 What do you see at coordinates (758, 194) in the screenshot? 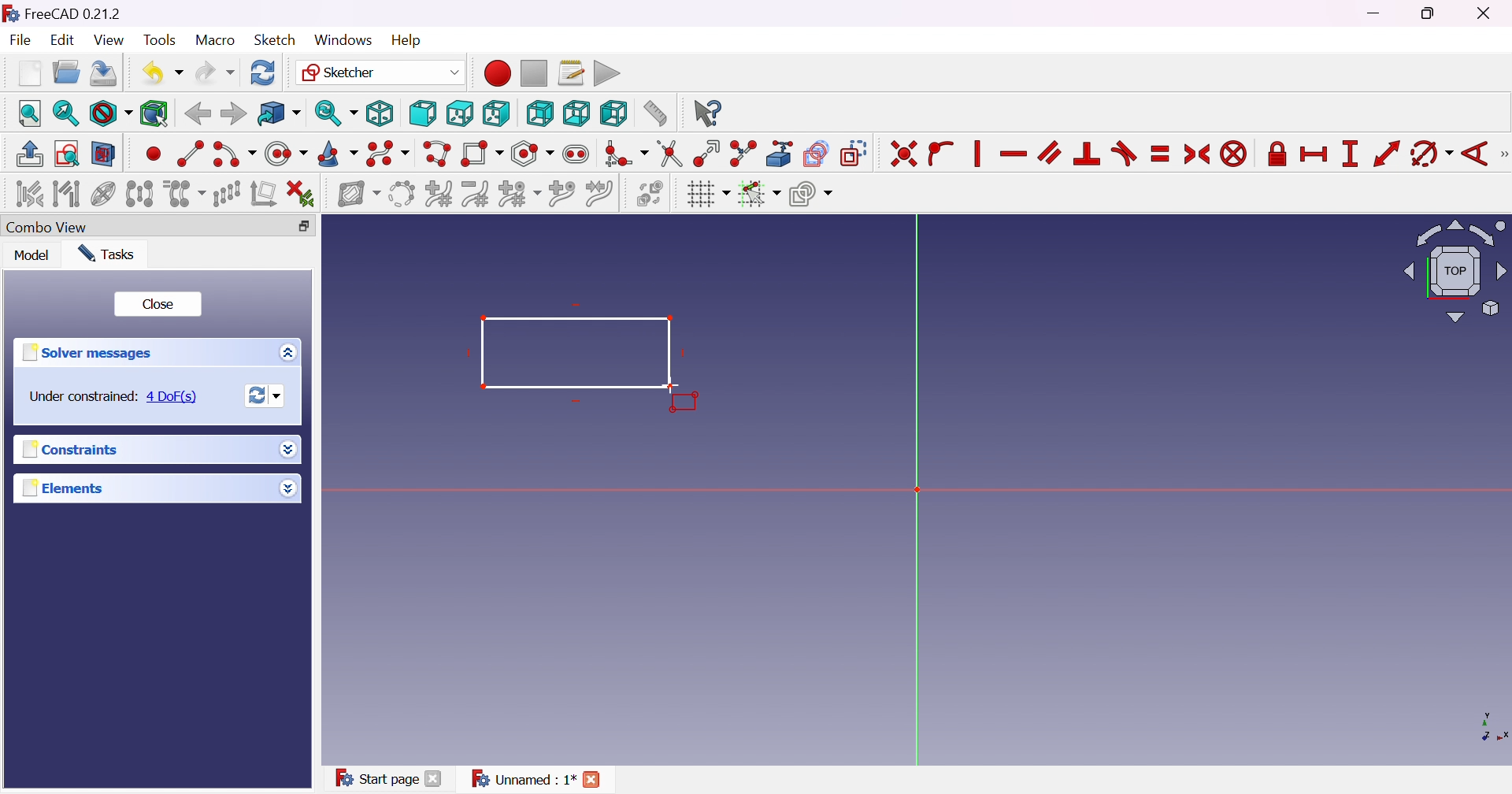
I see `Toggle snap` at bounding box center [758, 194].